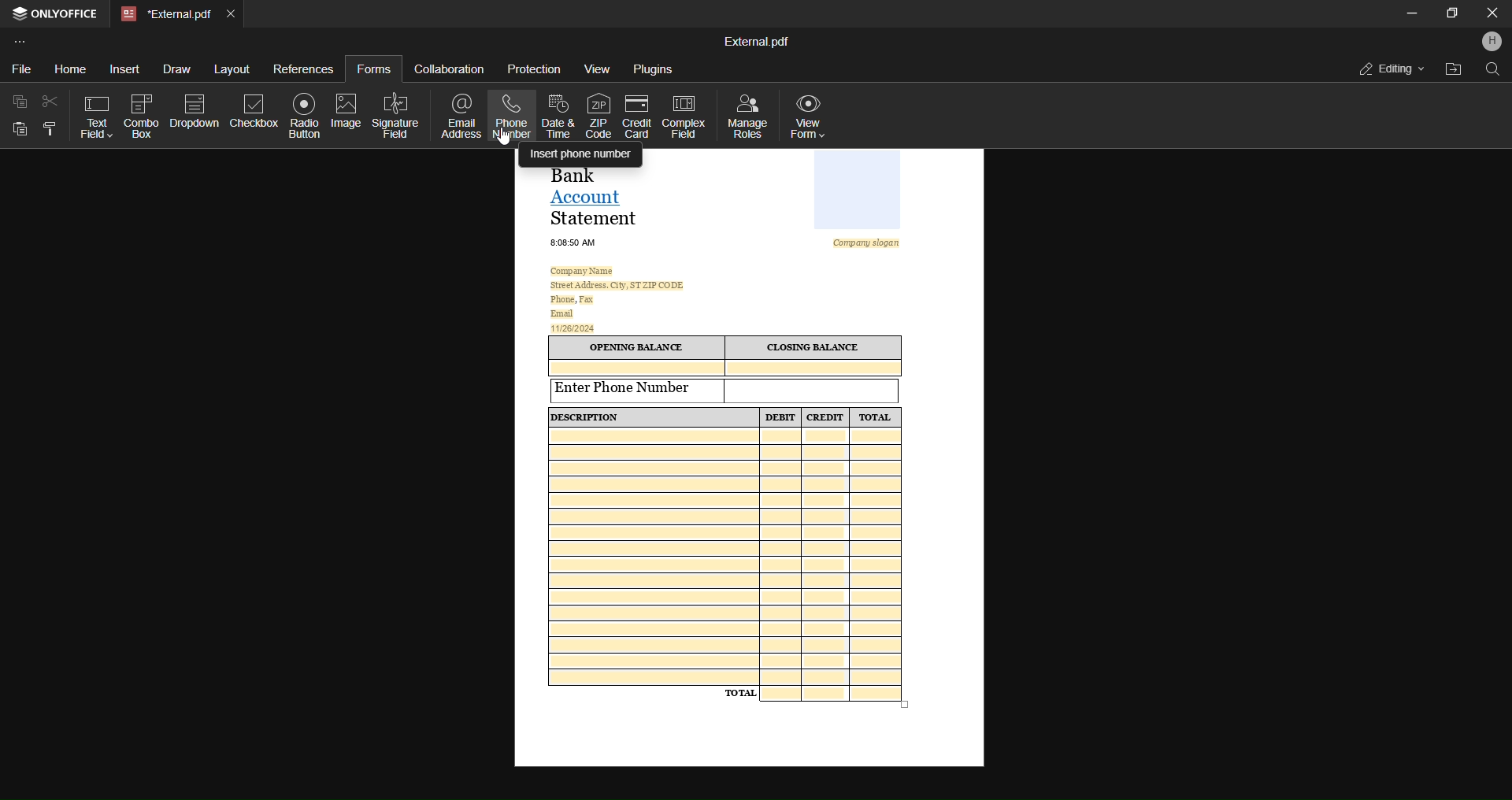 The image size is (1512, 800). What do you see at coordinates (747, 116) in the screenshot?
I see `manage roles` at bounding box center [747, 116].